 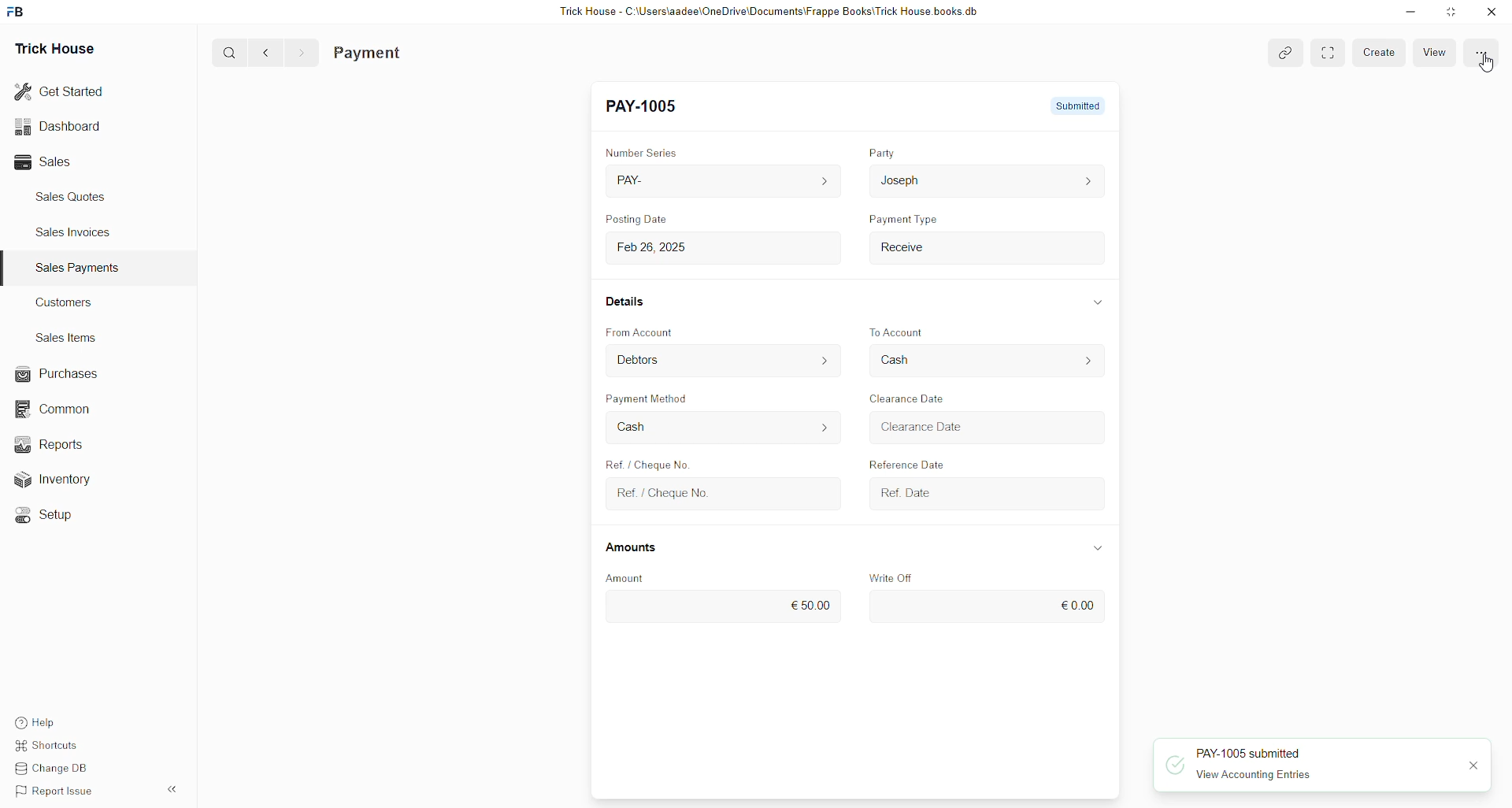 I want to click on Name, so click(x=828, y=726).